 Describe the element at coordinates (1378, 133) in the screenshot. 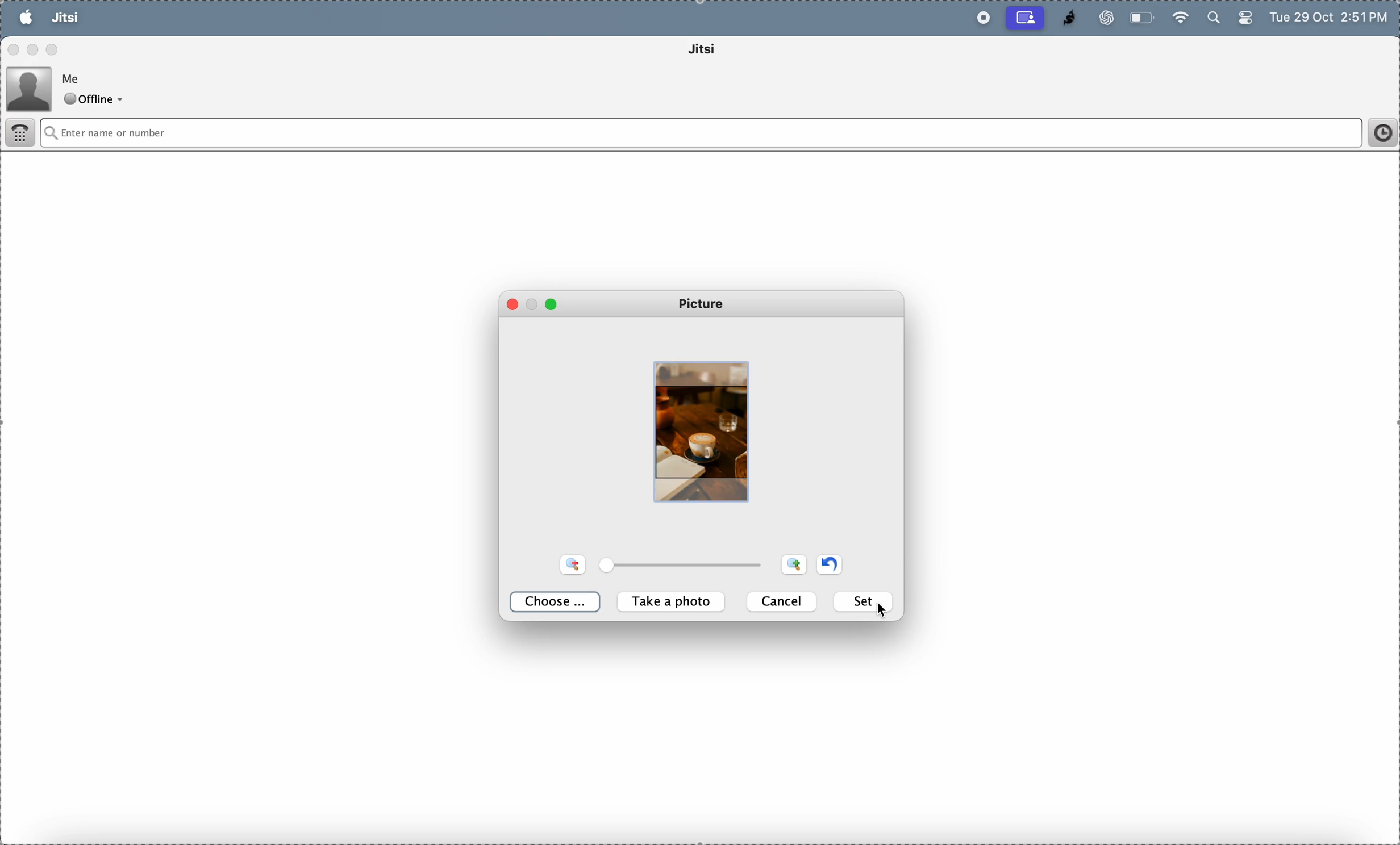

I see `time frame` at that location.